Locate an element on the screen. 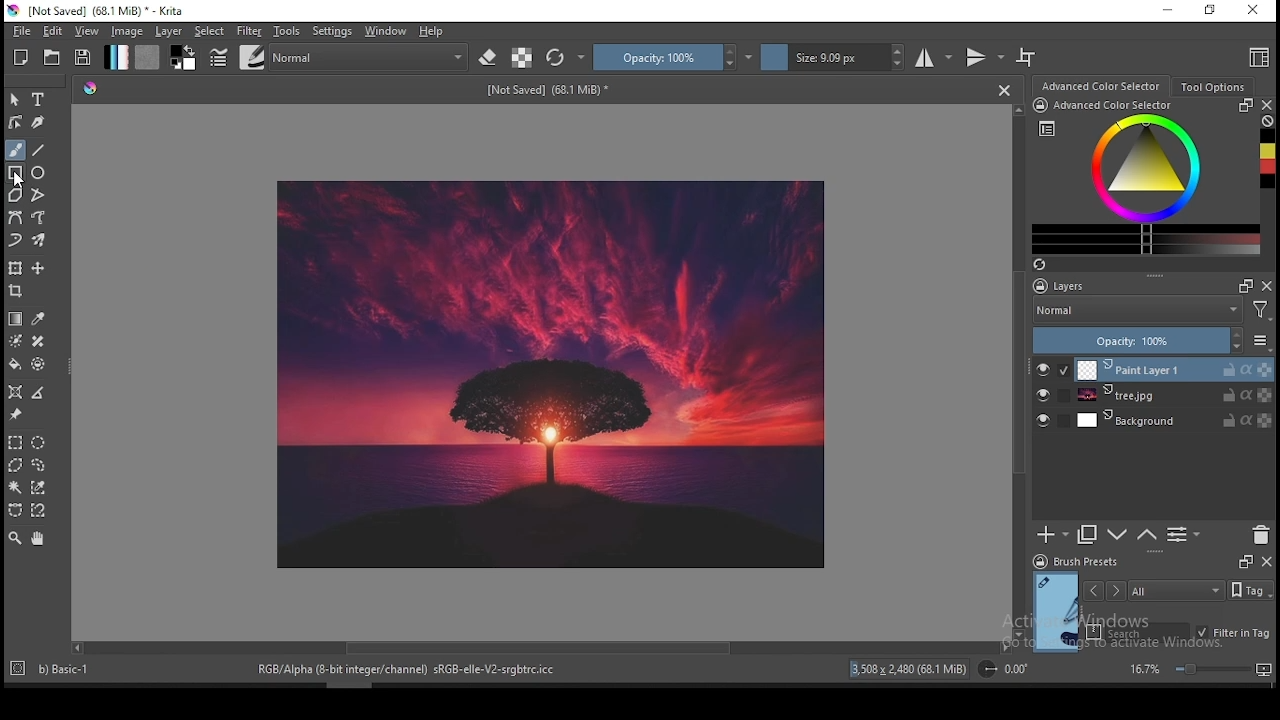 This screenshot has height=720, width=1280. window is located at coordinates (386, 31).